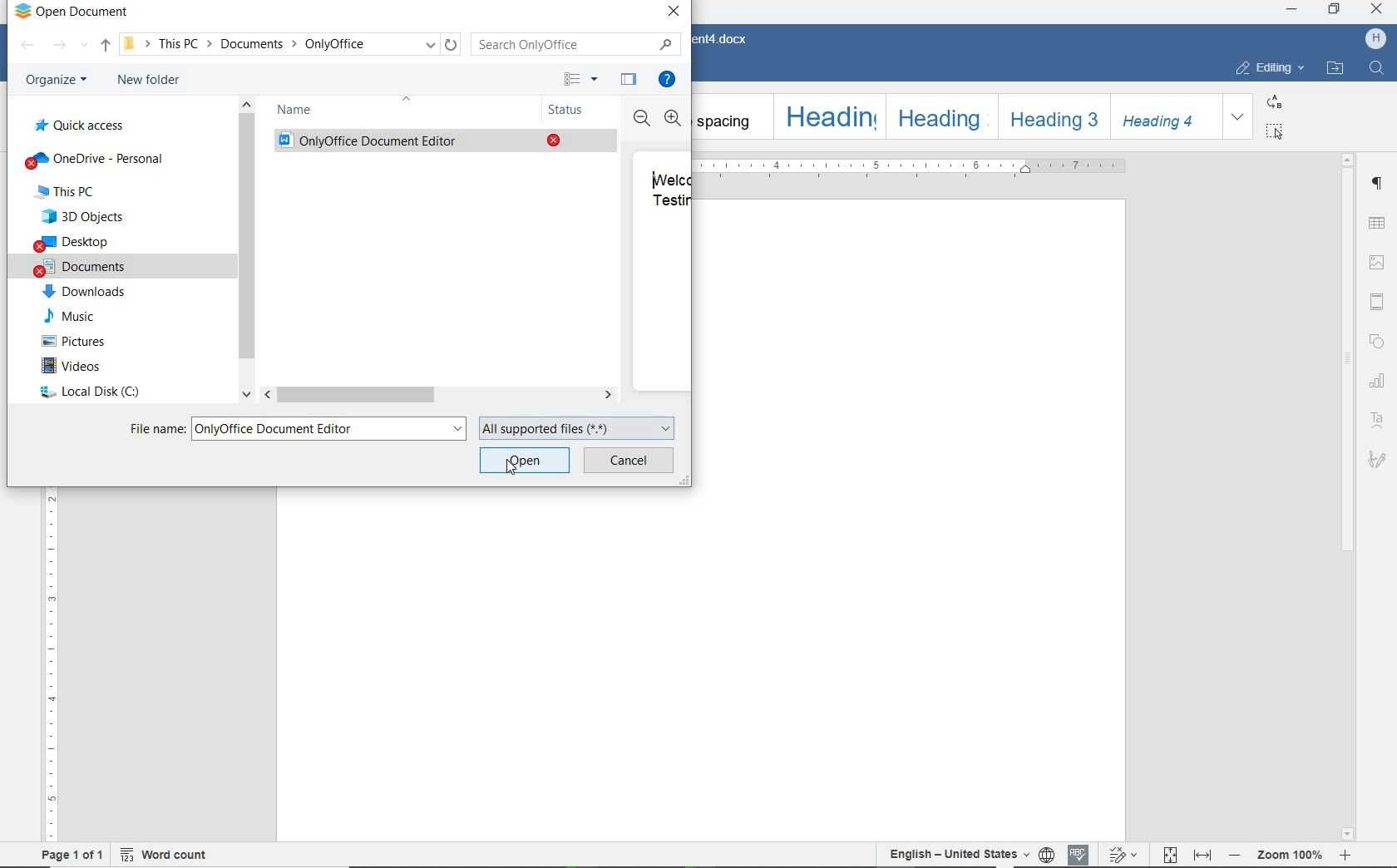 The width and height of the screenshot is (1397, 868). What do you see at coordinates (452, 52) in the screenshot?
I see `Refresh` at bounding box center [452, 52].